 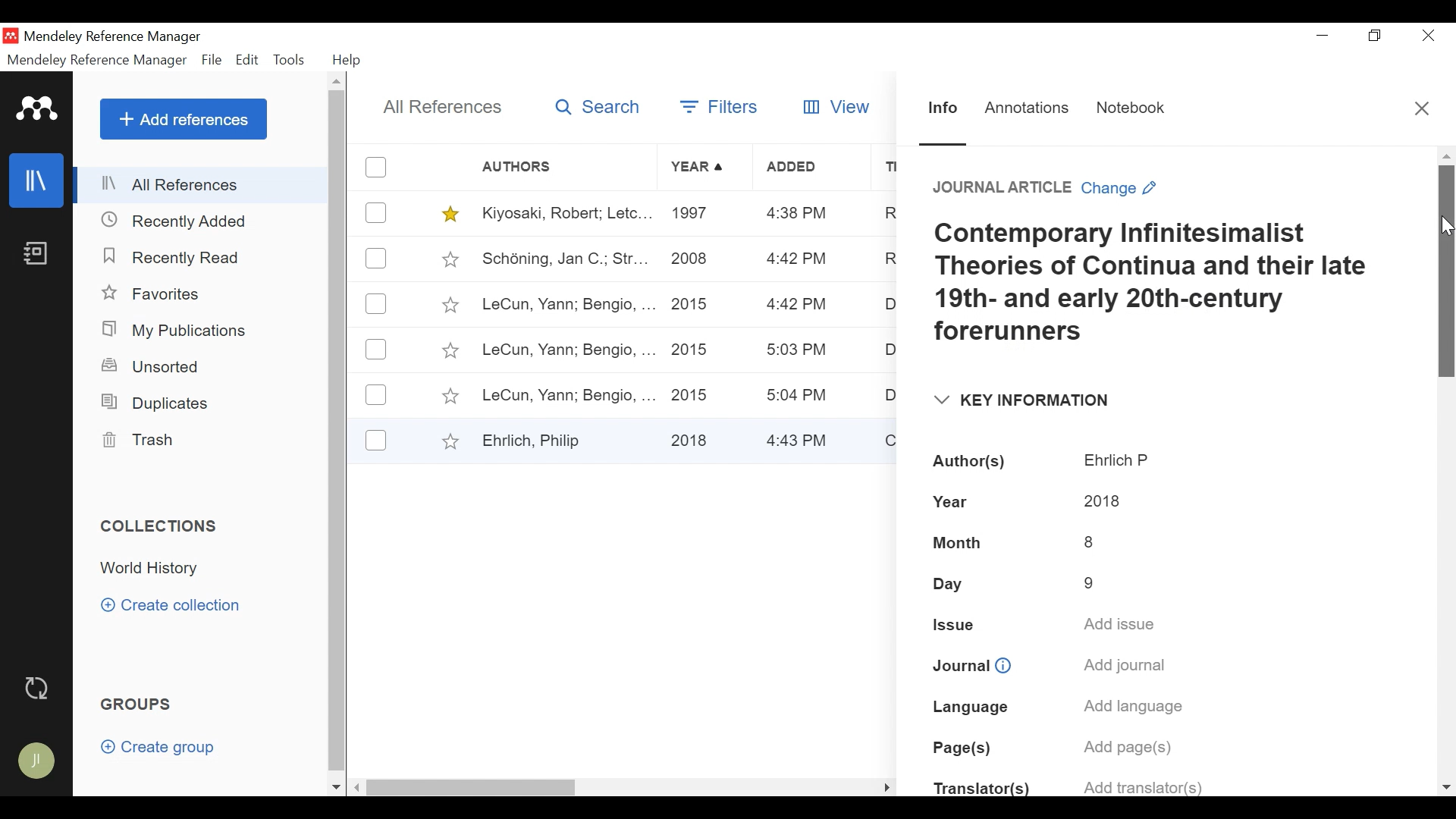 What do you see at coordinates (839, 107) in the screenshot?
I see `View` at bounding box center [839, 107].